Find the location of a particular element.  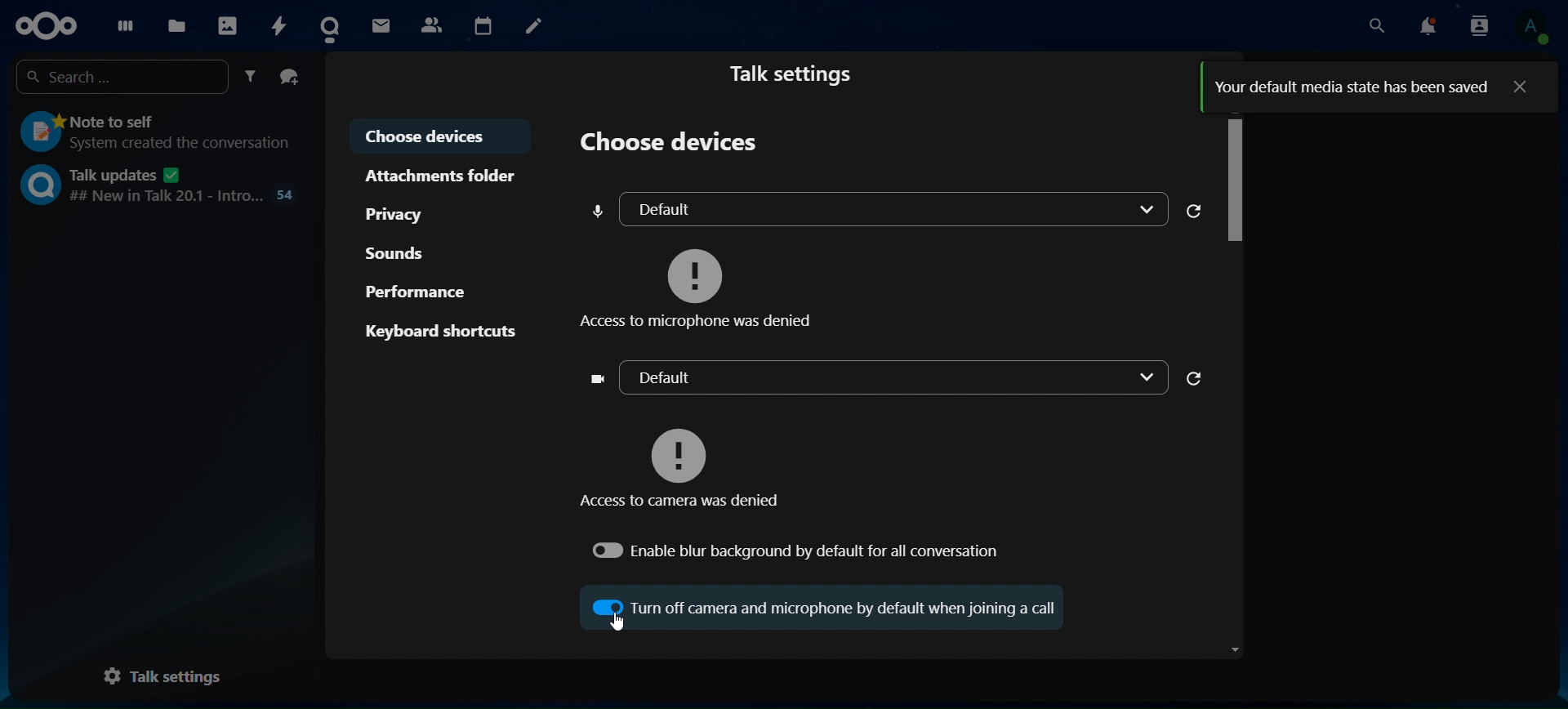

privacy is located at coordinates (403, 212).